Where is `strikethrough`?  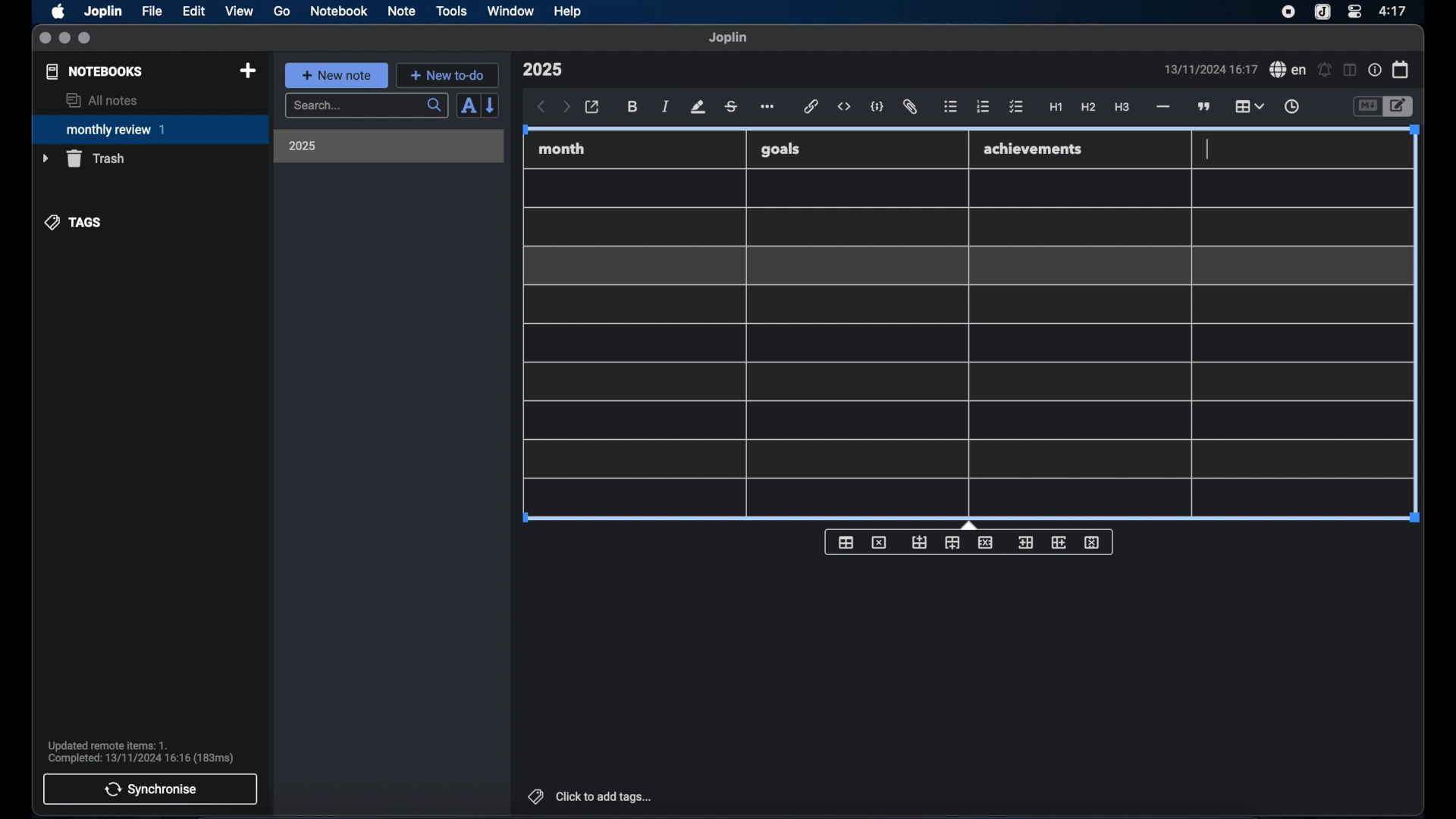 strikethrough is located at coordinates (730, 107).